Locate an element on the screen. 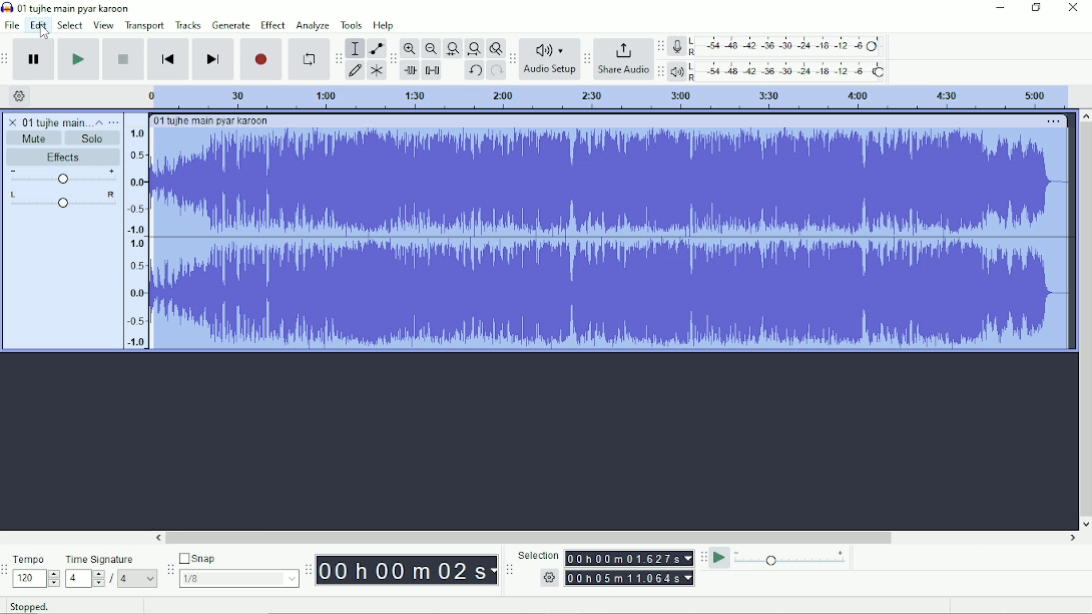 Image resolution: width=1092 pixels, height=614 pixels. Play-at-speed is located at coordinates (720, 558).